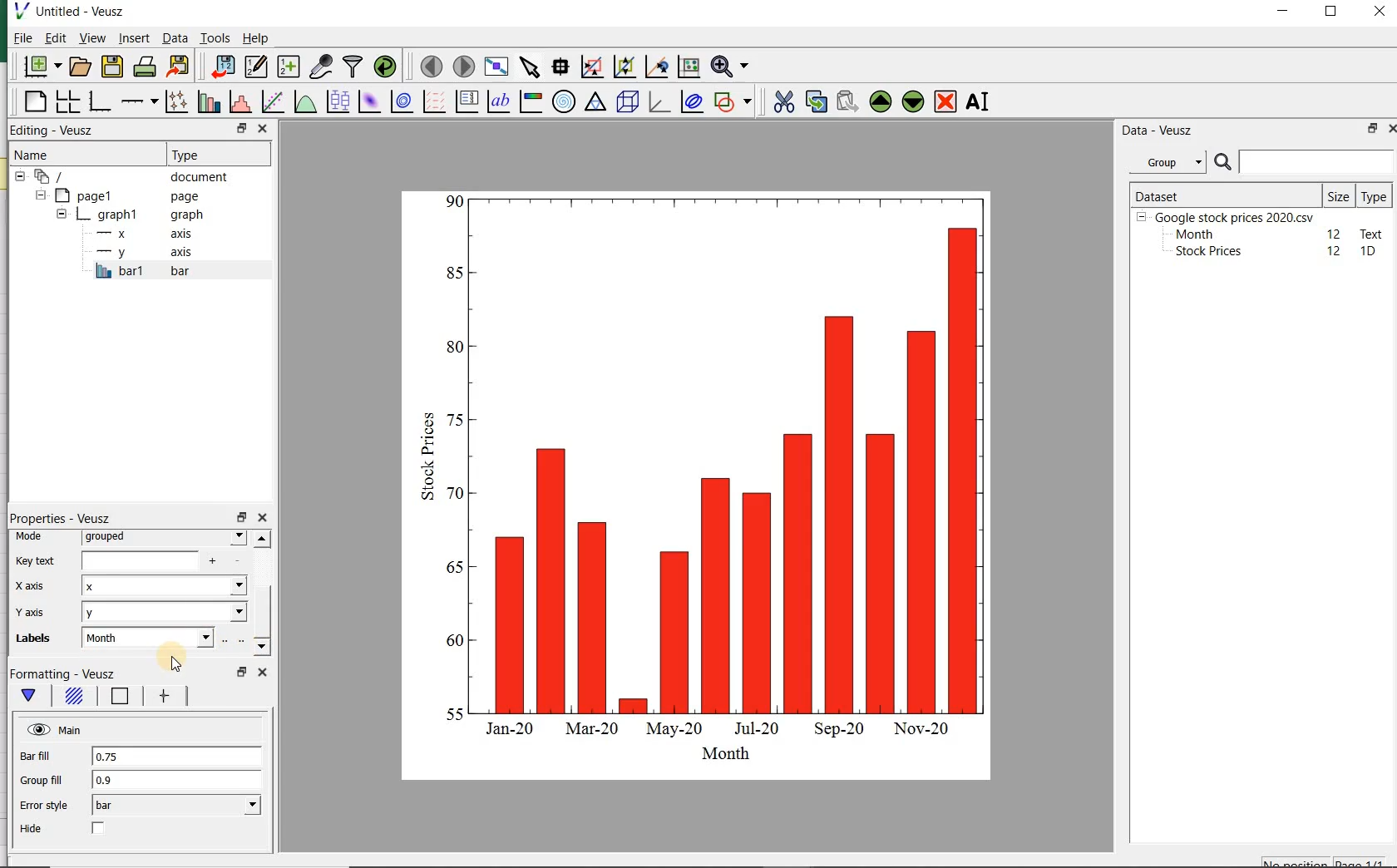 The height and width of the screenshot is (868, 1397). What do you see at coordinates (881, 101) in the screenshot?
I see `move the selected widget up` at bounding box center [881, 101].